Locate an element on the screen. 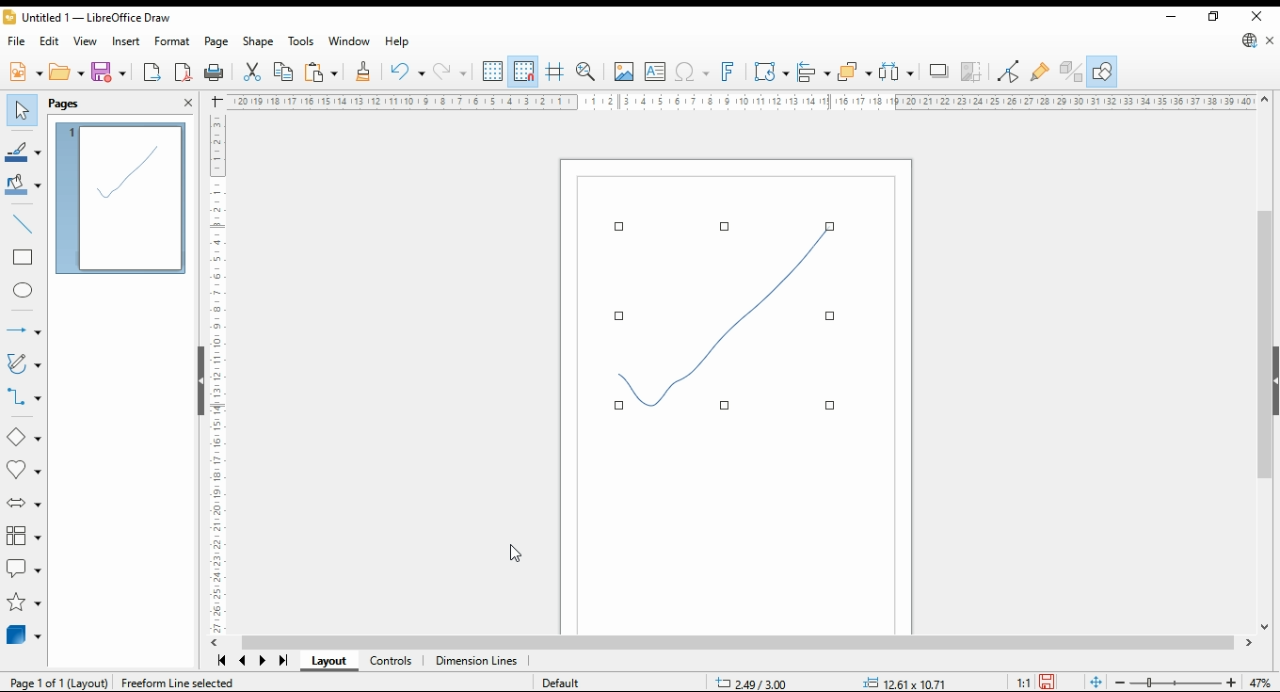  save is located at coordinates (110, 73).